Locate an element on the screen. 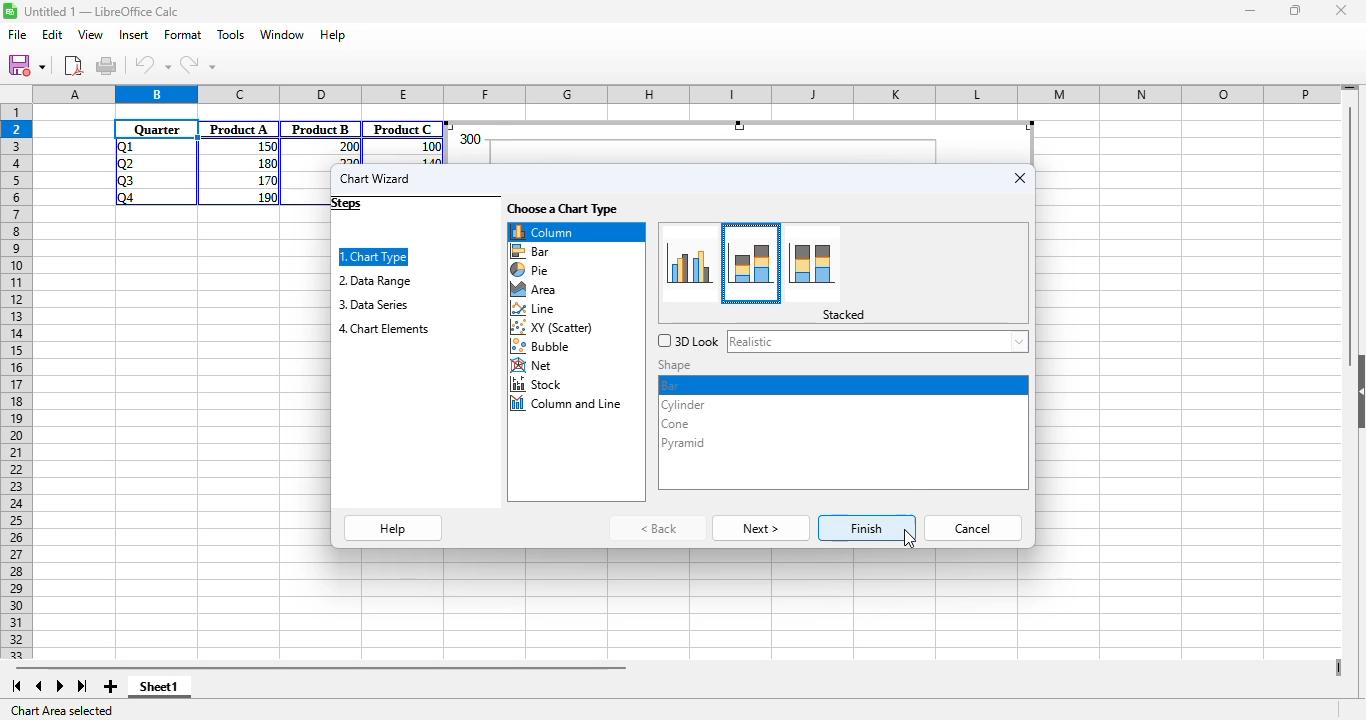 The height and width of the screenshot is (720, 1366). finish is located at coordinates (868, 528).